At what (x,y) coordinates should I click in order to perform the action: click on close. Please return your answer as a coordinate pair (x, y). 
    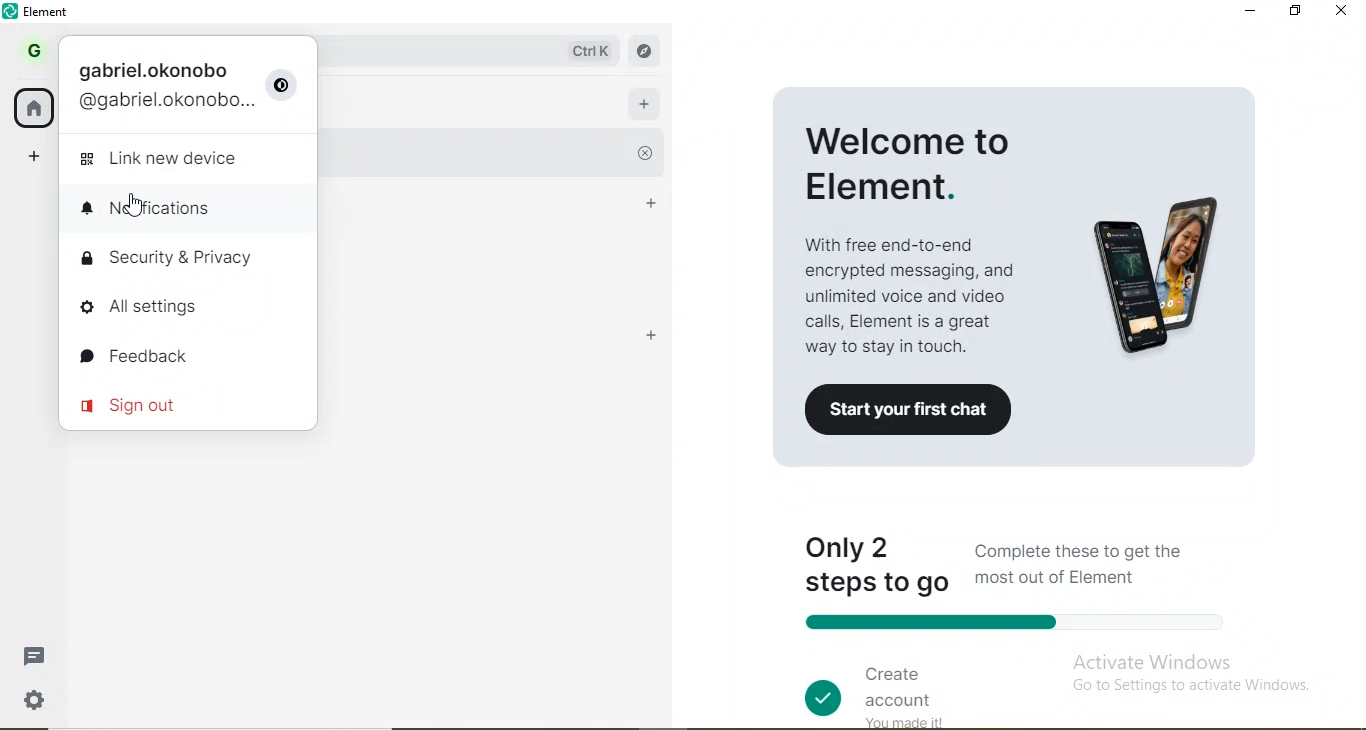
    Looking at the image, I should click on (647, 152).